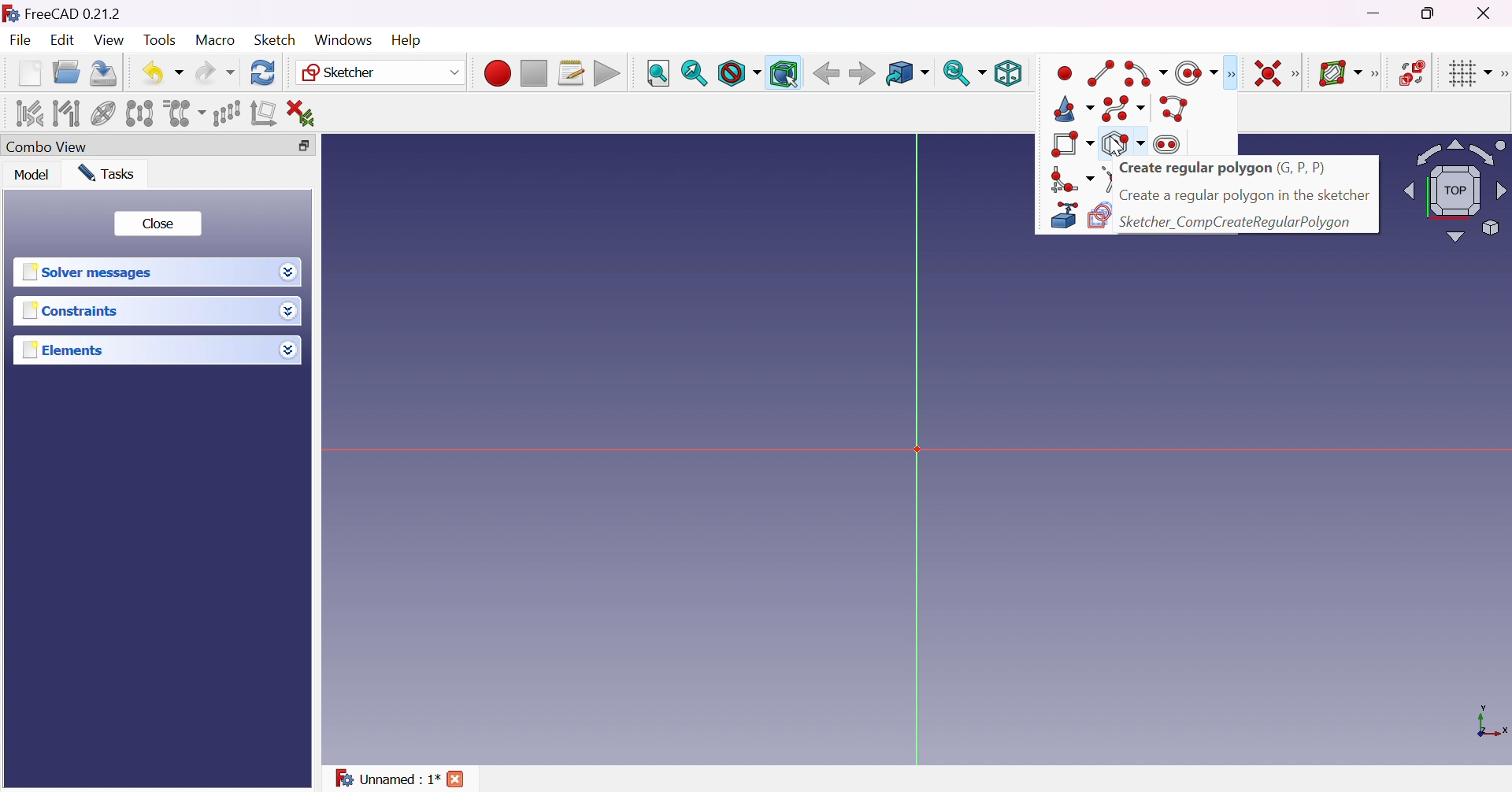 The height and width of the screenshot is (792, 1512). What do you see at coordinates (1204, 74) in the screenshot?
I see `Create point` at bounding box center [1204, 74].